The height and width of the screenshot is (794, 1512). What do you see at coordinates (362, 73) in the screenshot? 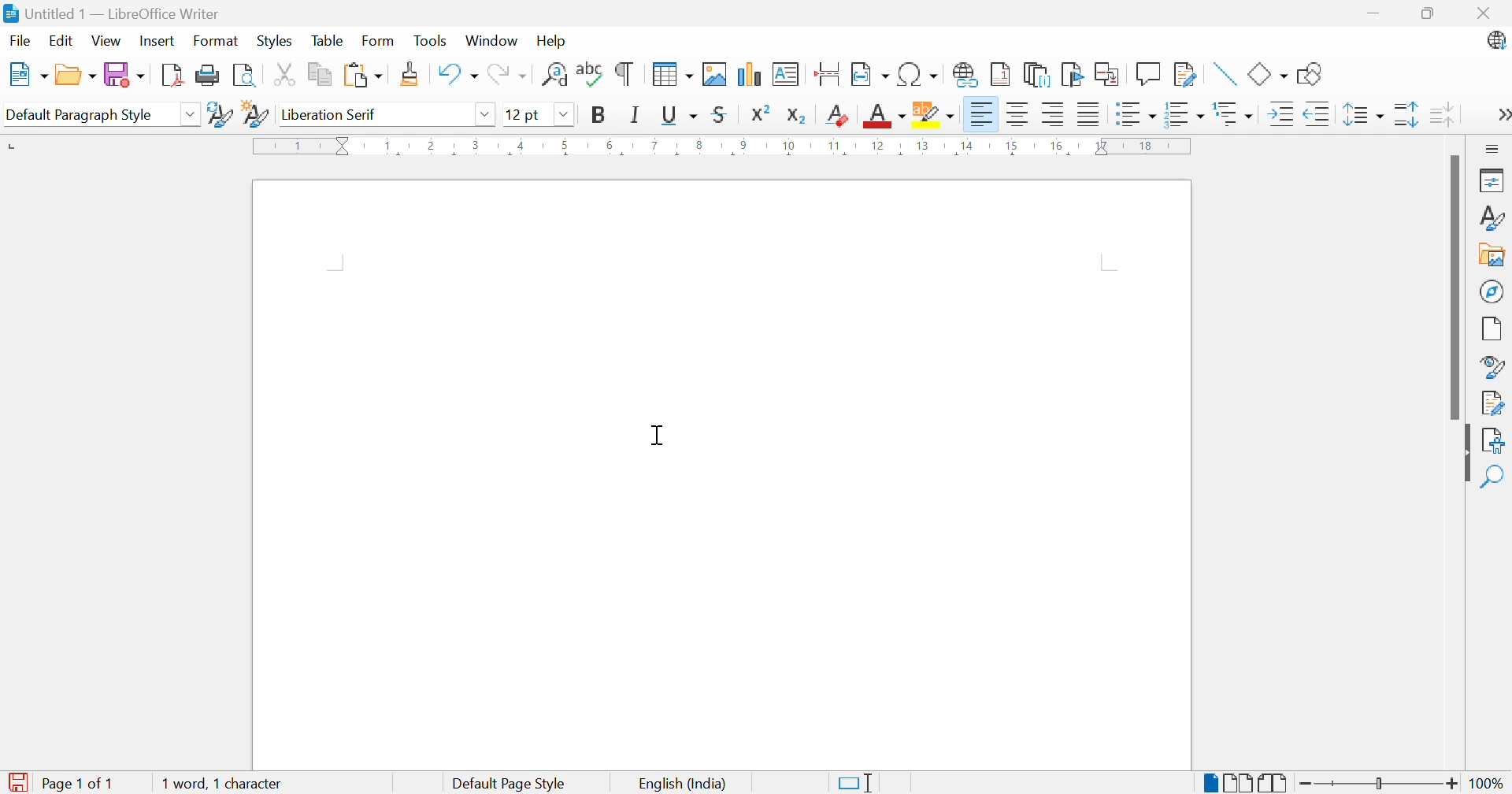
I see `Paste` at bounding box center [362, 73].